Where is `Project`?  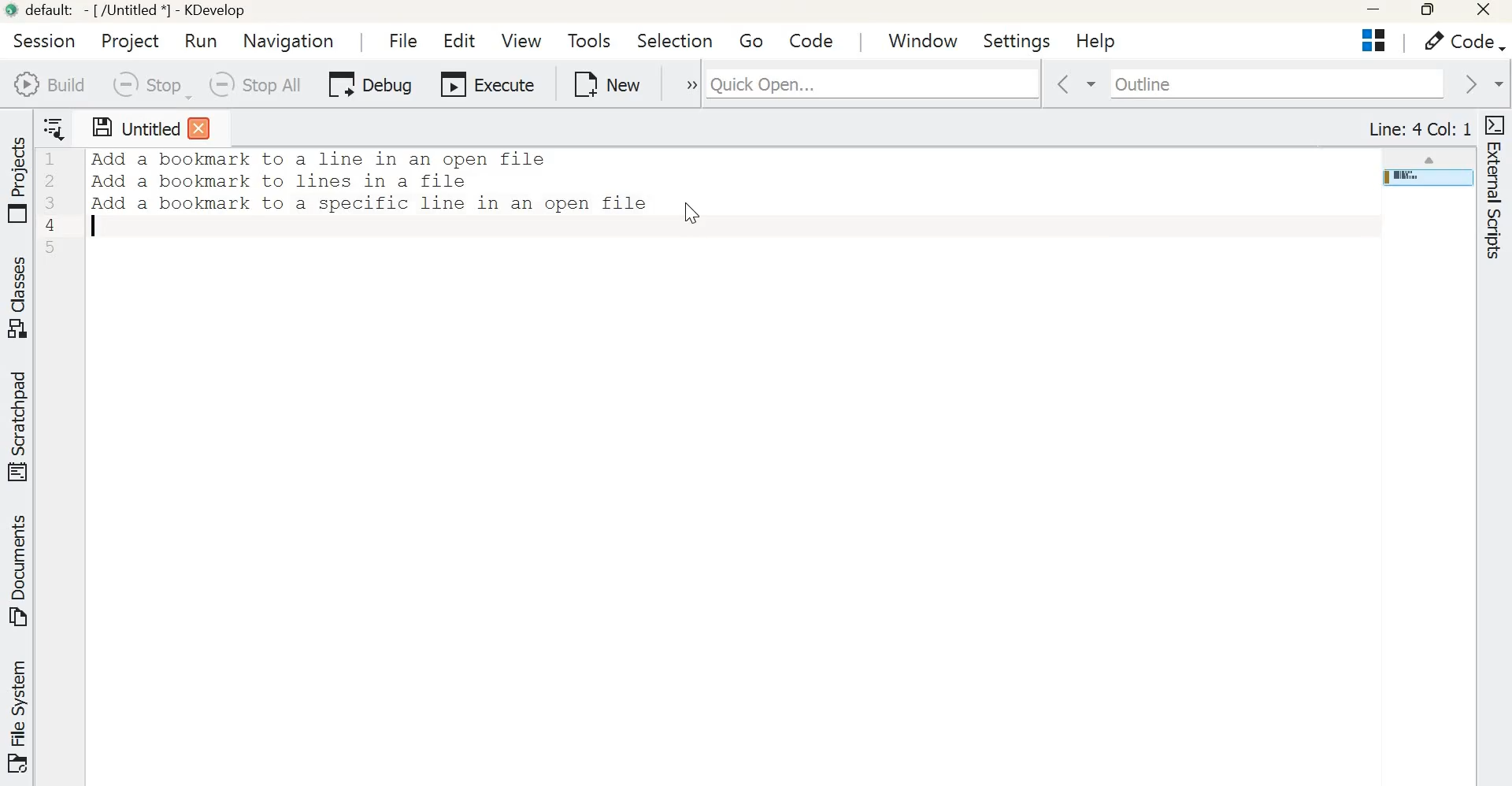 Project is located at coordinates (128, 41).